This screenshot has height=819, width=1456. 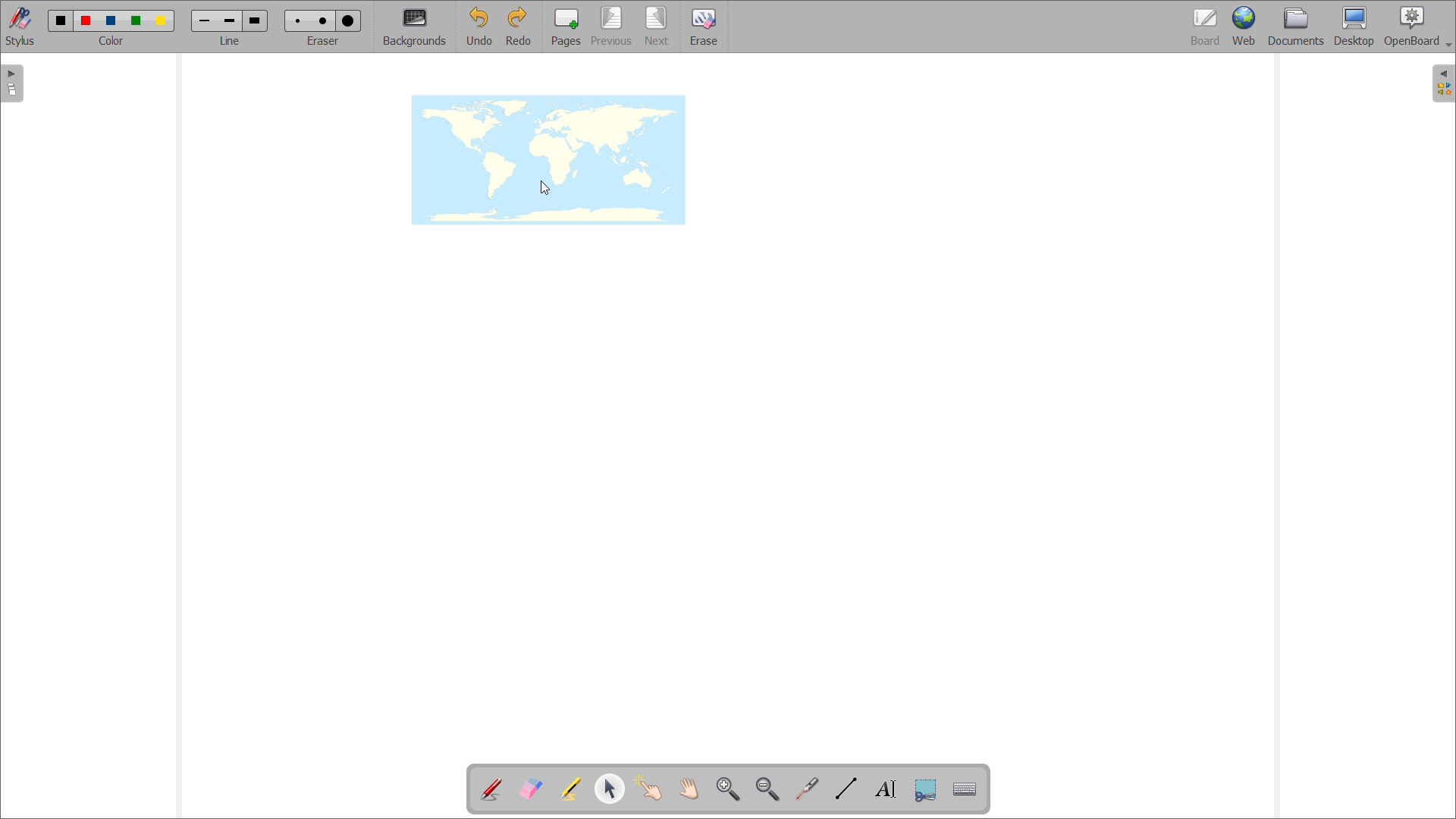 What do you see at coordinates (611, 27) in the screenshot?
I see `previous page` at bounding box center [611, 27].